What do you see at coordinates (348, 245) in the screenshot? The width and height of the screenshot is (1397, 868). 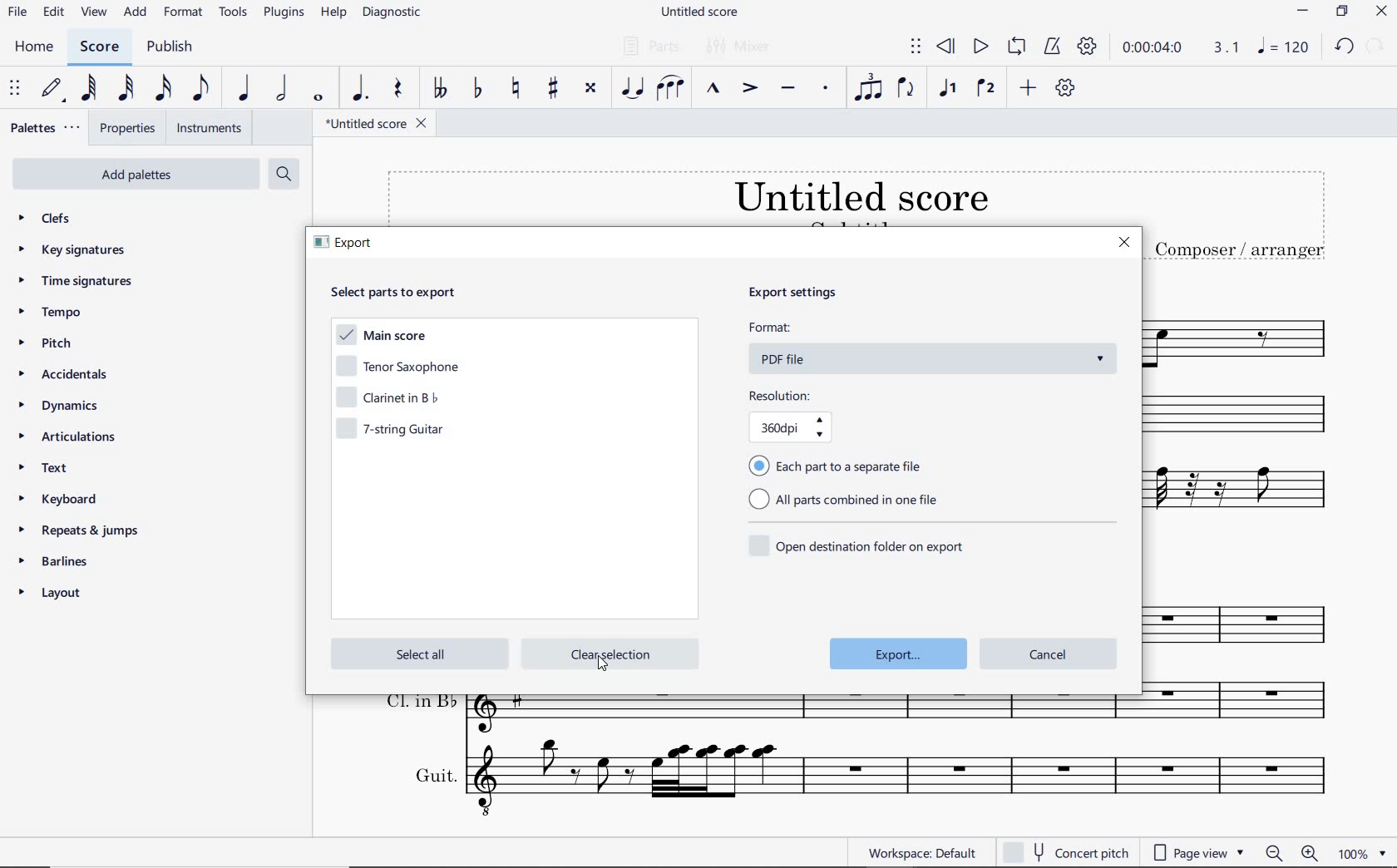 I see `export` at bounding box center [348, 245].